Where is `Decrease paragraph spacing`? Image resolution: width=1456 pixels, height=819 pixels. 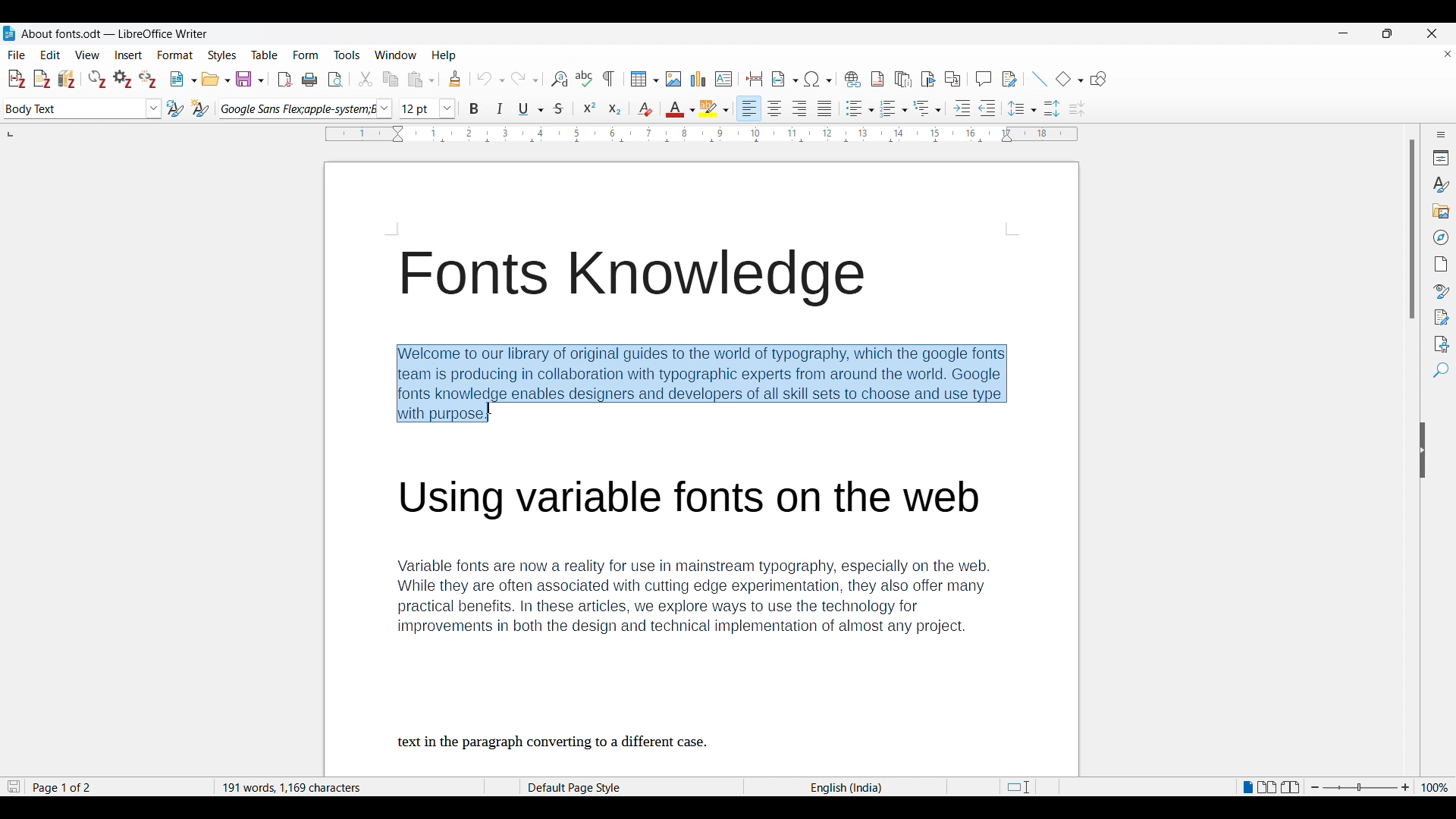
Decrease paragraph spacing is located at coordinates (1077, 109).